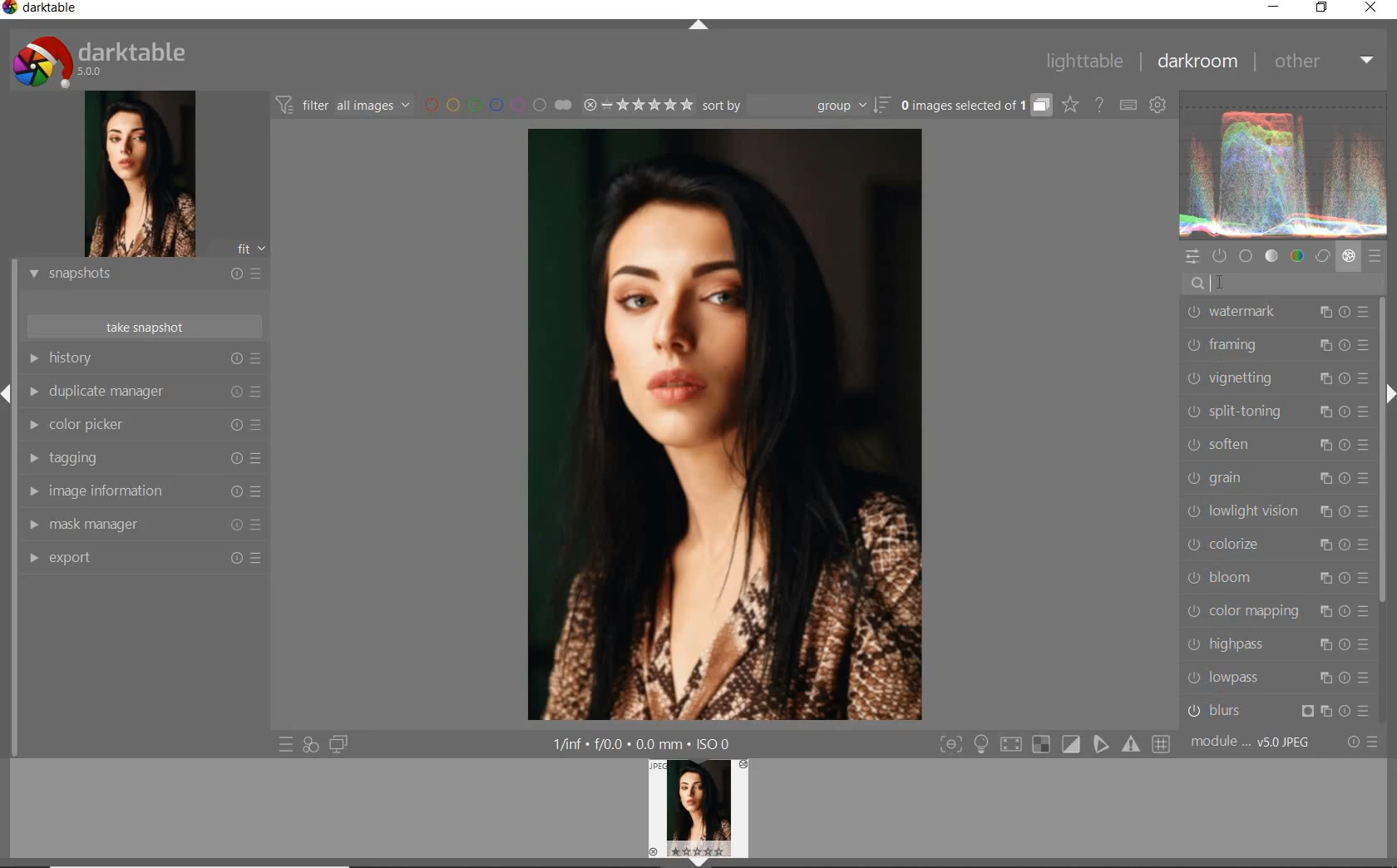 The image size is (1397, 868). Describe the element at coordinates (344, 107) in the screenshot. I see `filter all images by module order` at that location.